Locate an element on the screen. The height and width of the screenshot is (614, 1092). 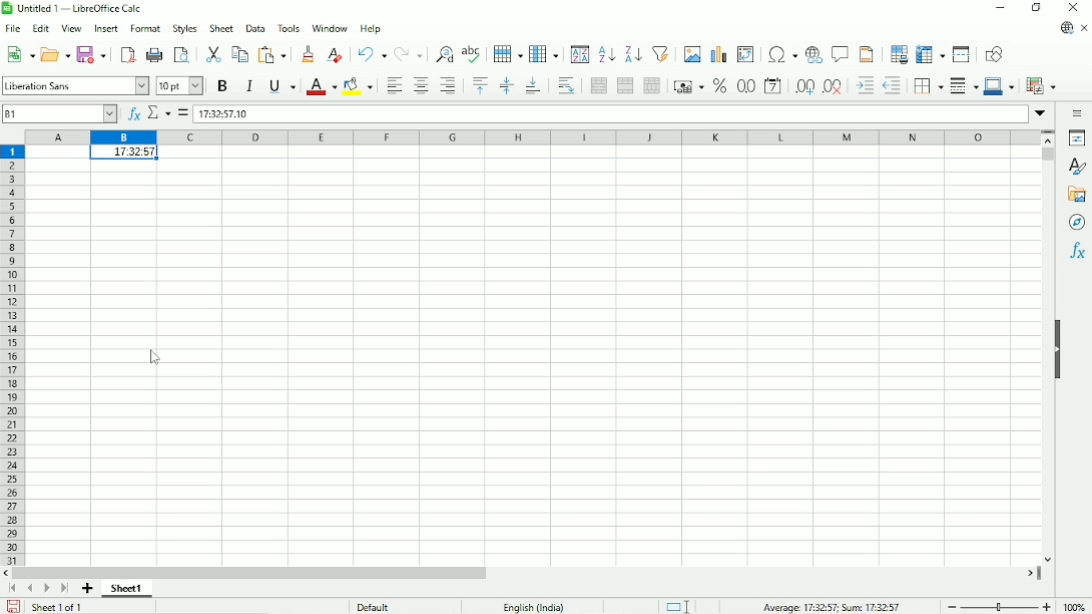
Align left is located at coordinates (392, 86).